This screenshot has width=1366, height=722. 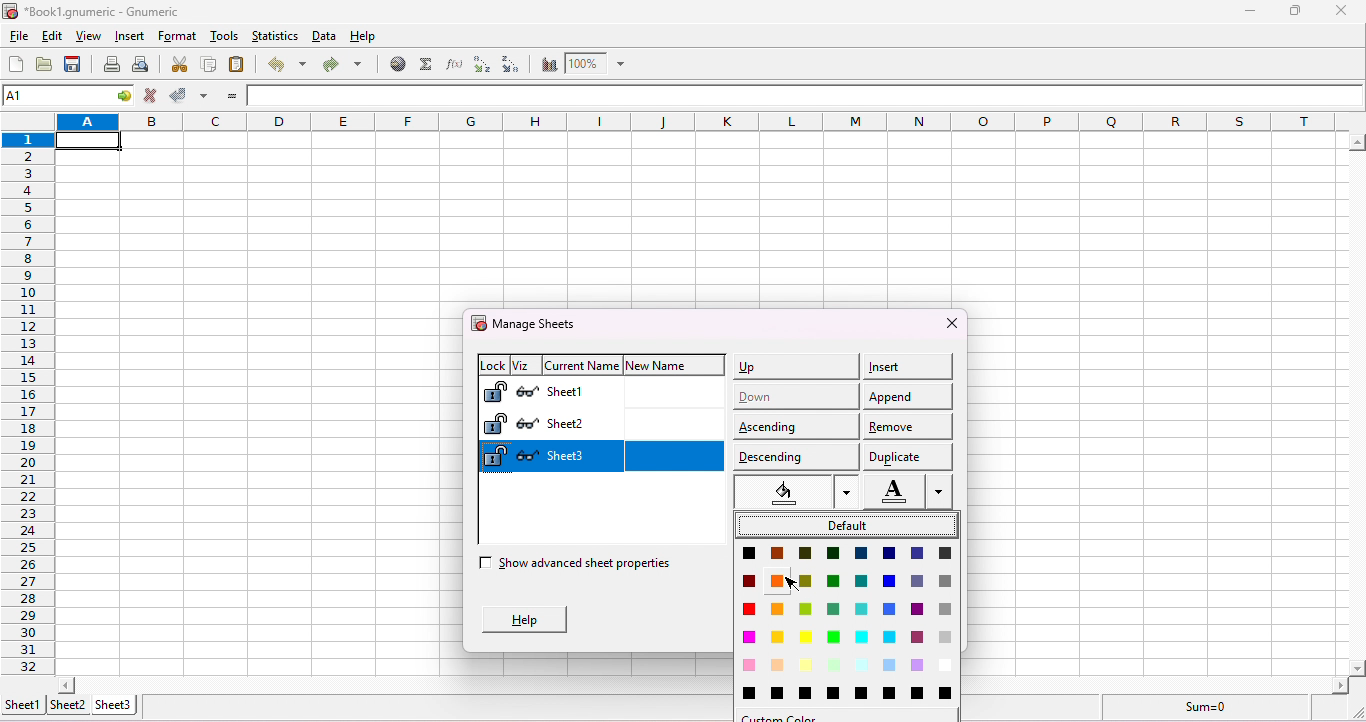 I want to click on Color palette, so click(x=847, y=621).